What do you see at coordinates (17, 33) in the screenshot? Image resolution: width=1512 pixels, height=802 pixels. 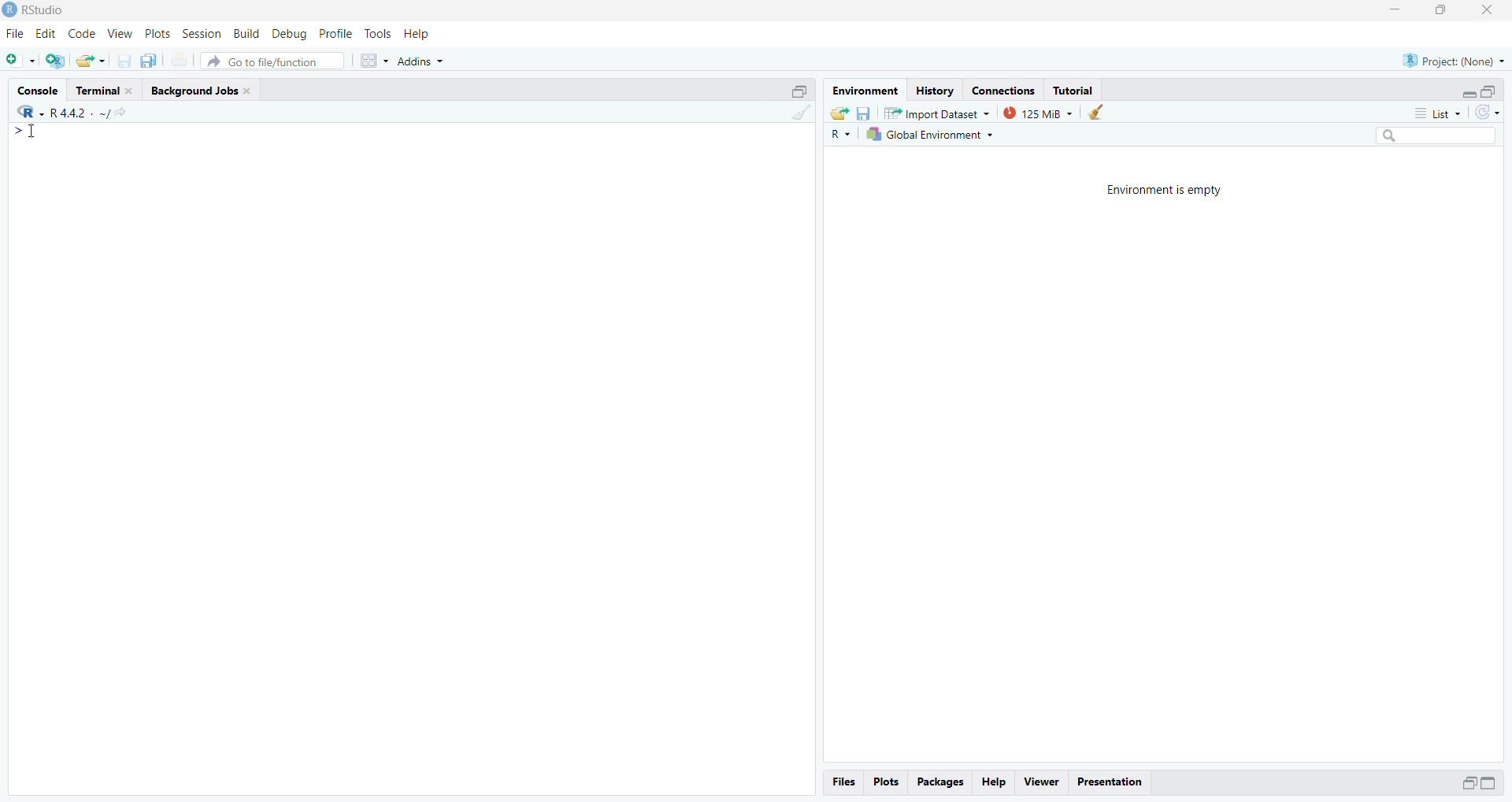 I see `File` at bounding box center [17, 33].